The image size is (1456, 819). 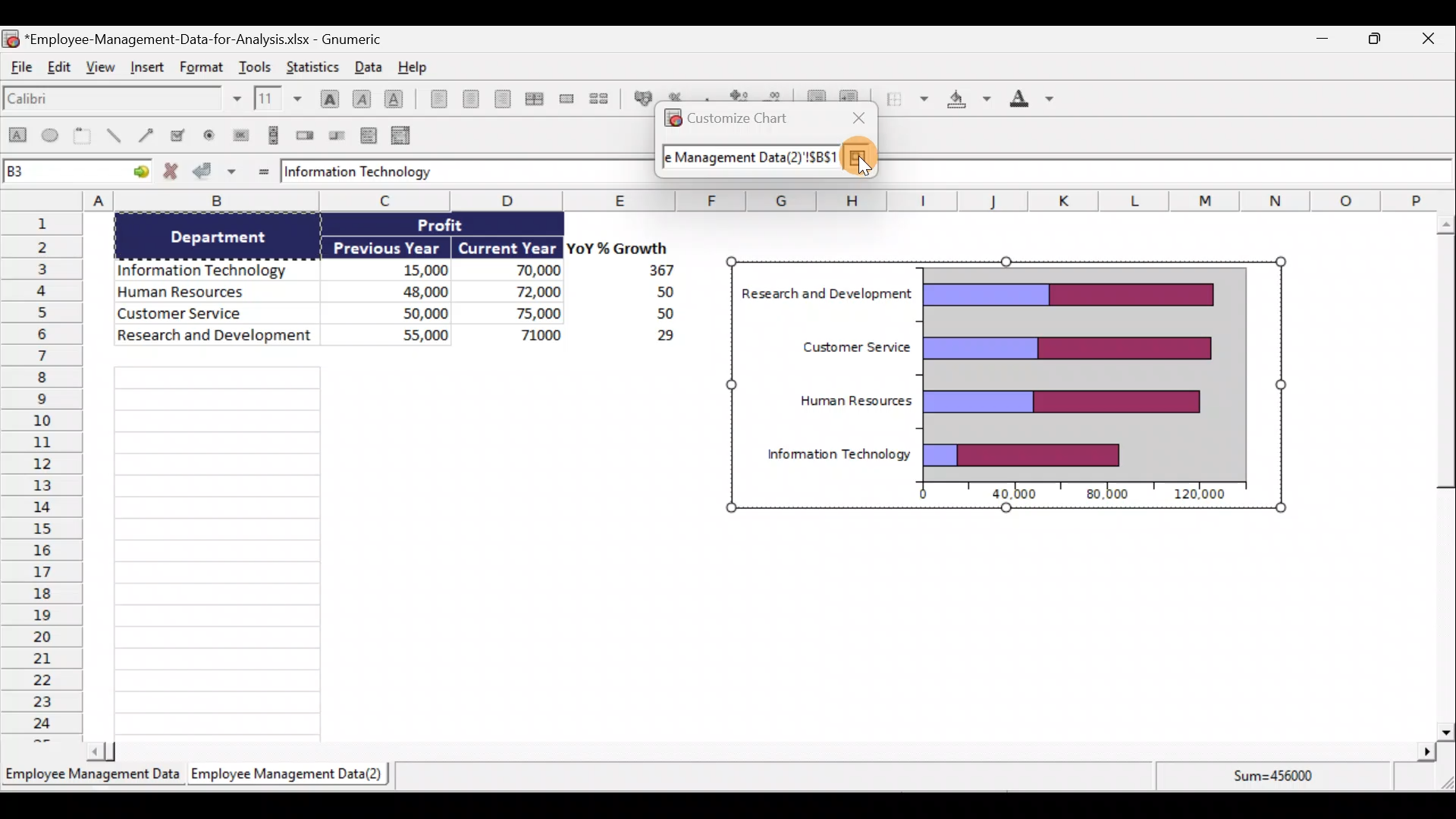 I want to click on Maximize, so click(x=1382, y=41).